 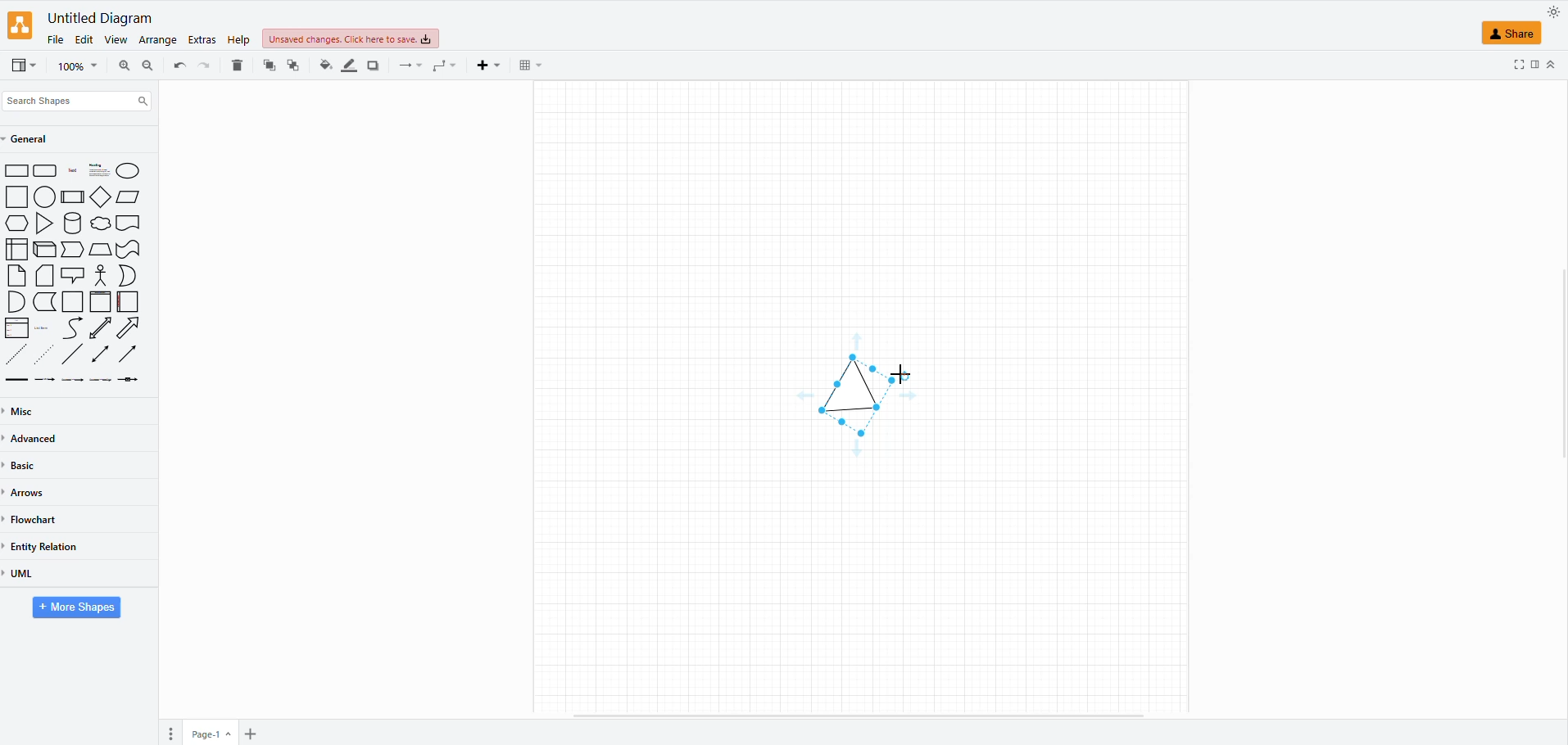 What do you see at coordinates (248, 735) in the screenshot?
I see `insert pages` at bounding box center [248, 735].